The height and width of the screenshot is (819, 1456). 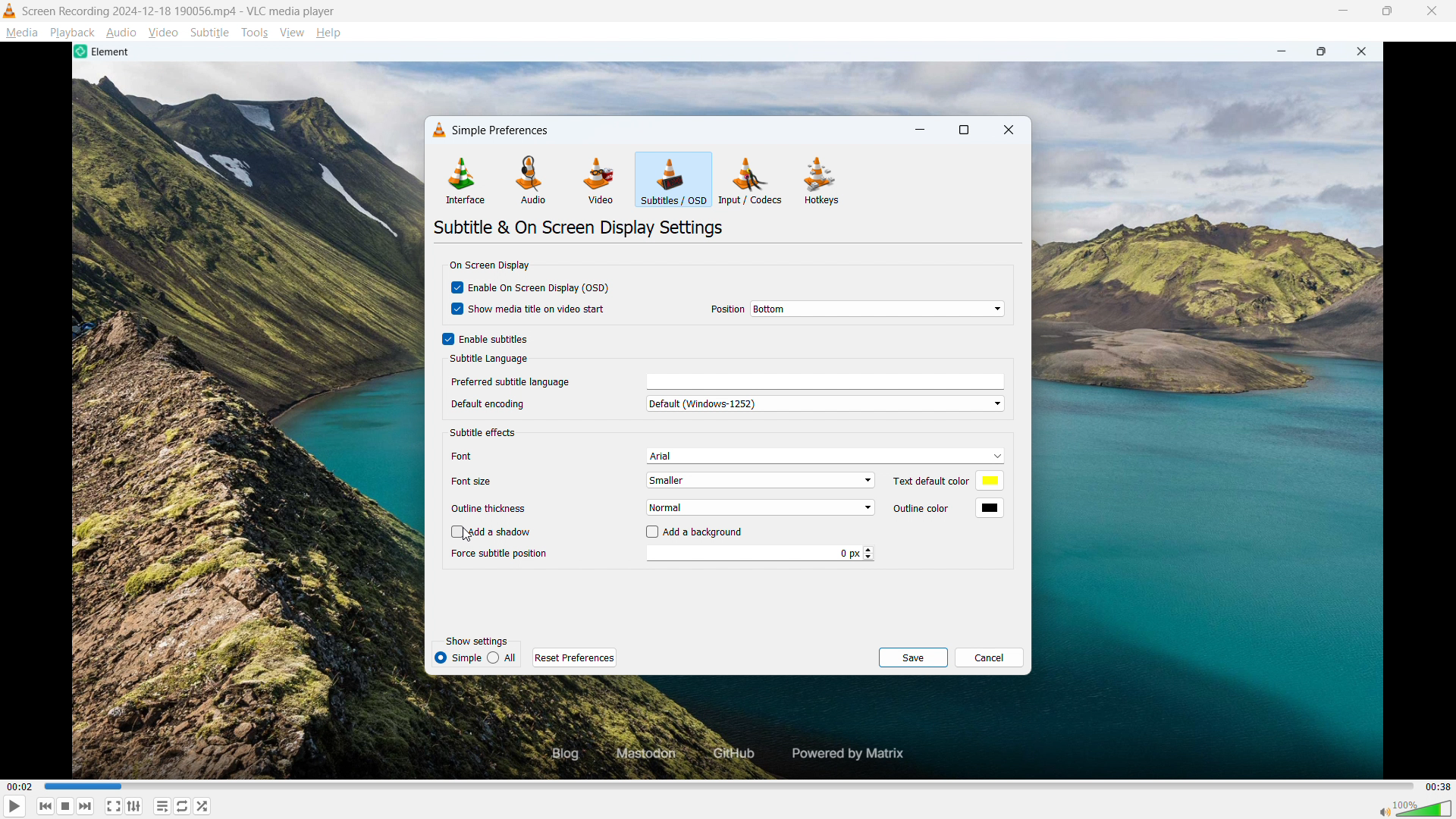 I want to click on Set text outline colour, so click(x=945, y=507).